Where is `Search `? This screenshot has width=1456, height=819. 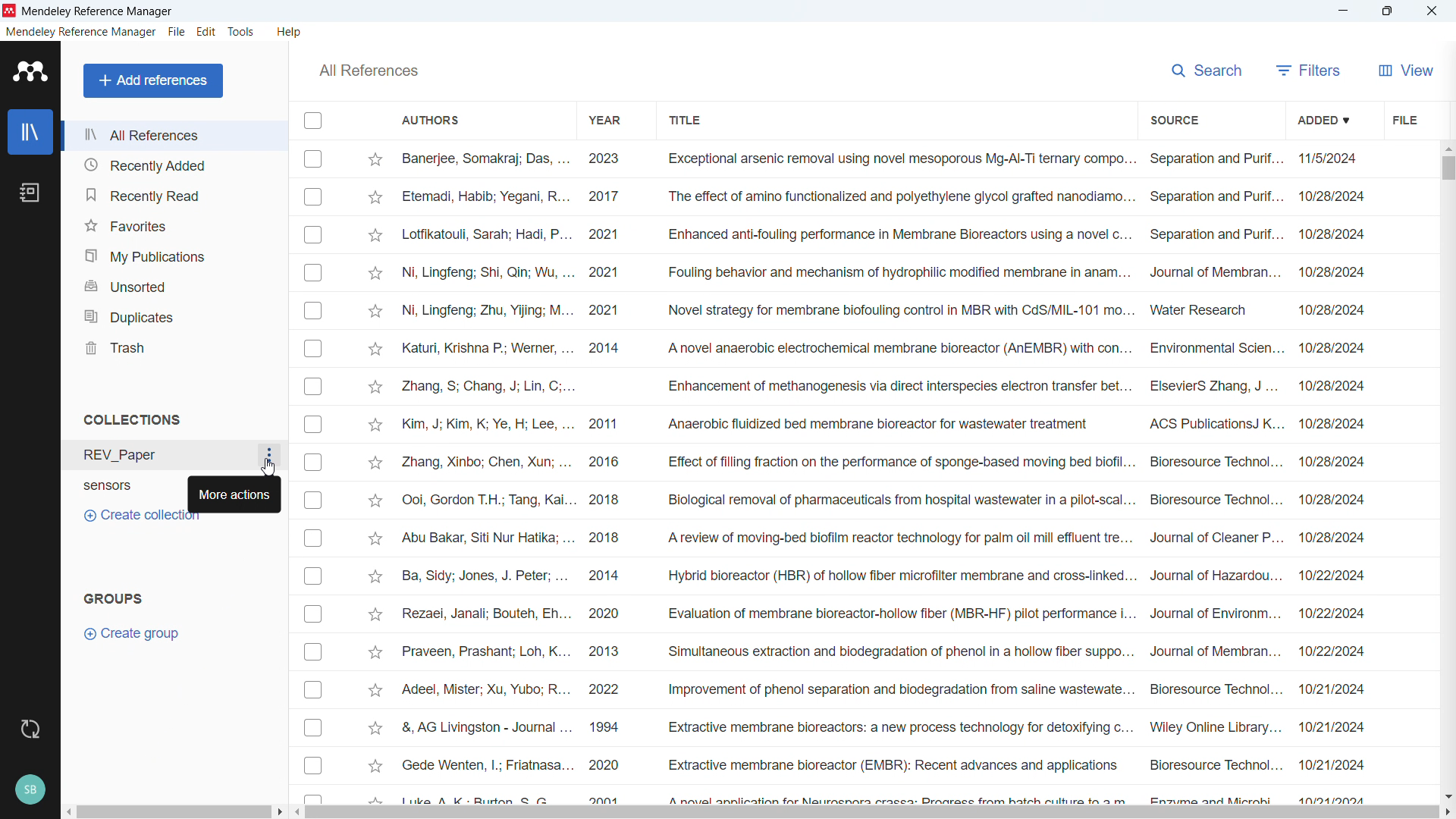
Search  is located at coordinates (1207, 68).